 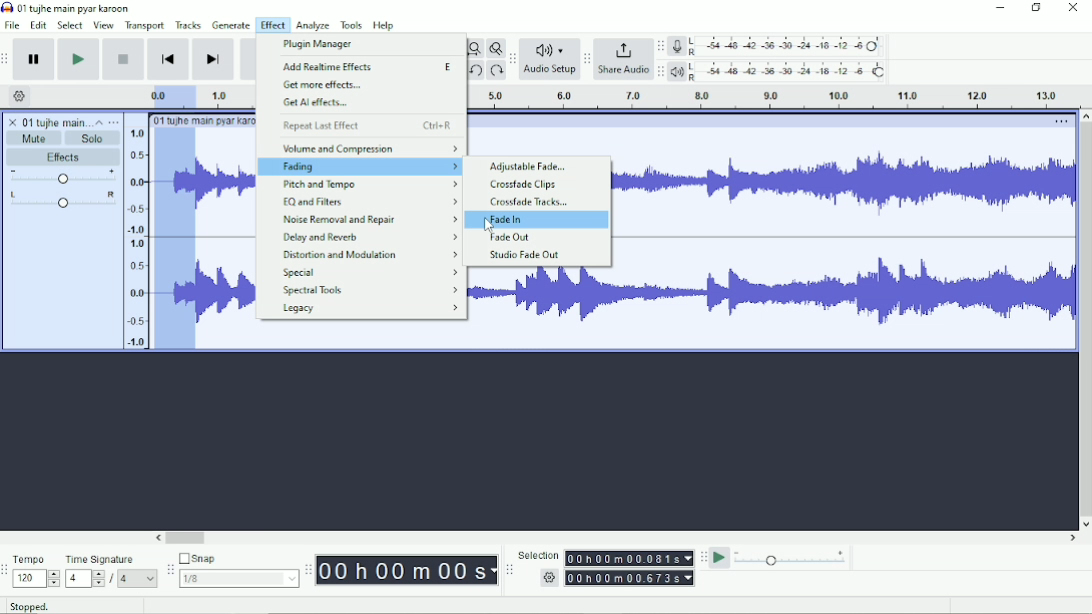 What do you see at coordinates (371, 68) in the screenshot?
I see `Add Realtime Effects` at bounding box center [371, 68].